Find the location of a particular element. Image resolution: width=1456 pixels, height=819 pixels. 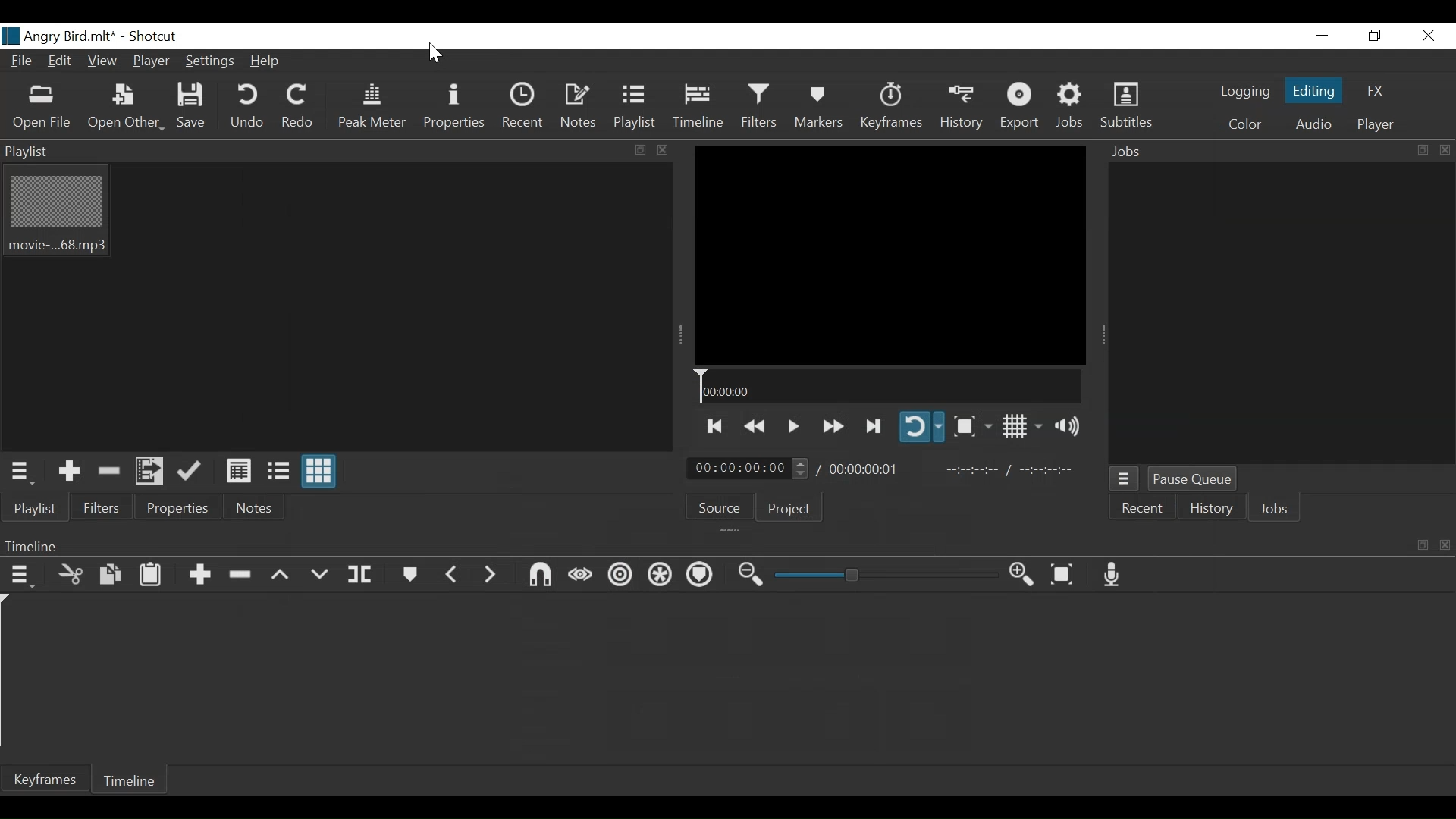

Timeline is located at coordinates (888, 387).